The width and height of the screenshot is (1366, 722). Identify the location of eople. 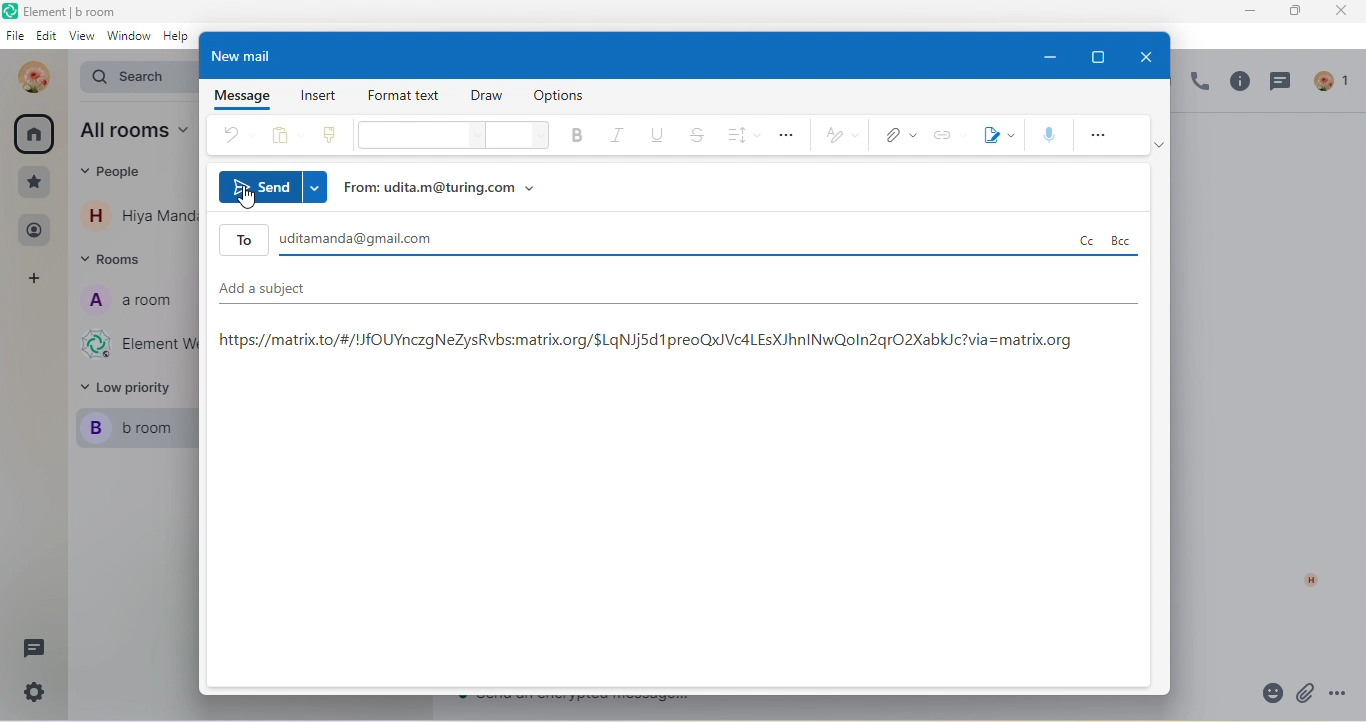
(114, 172).